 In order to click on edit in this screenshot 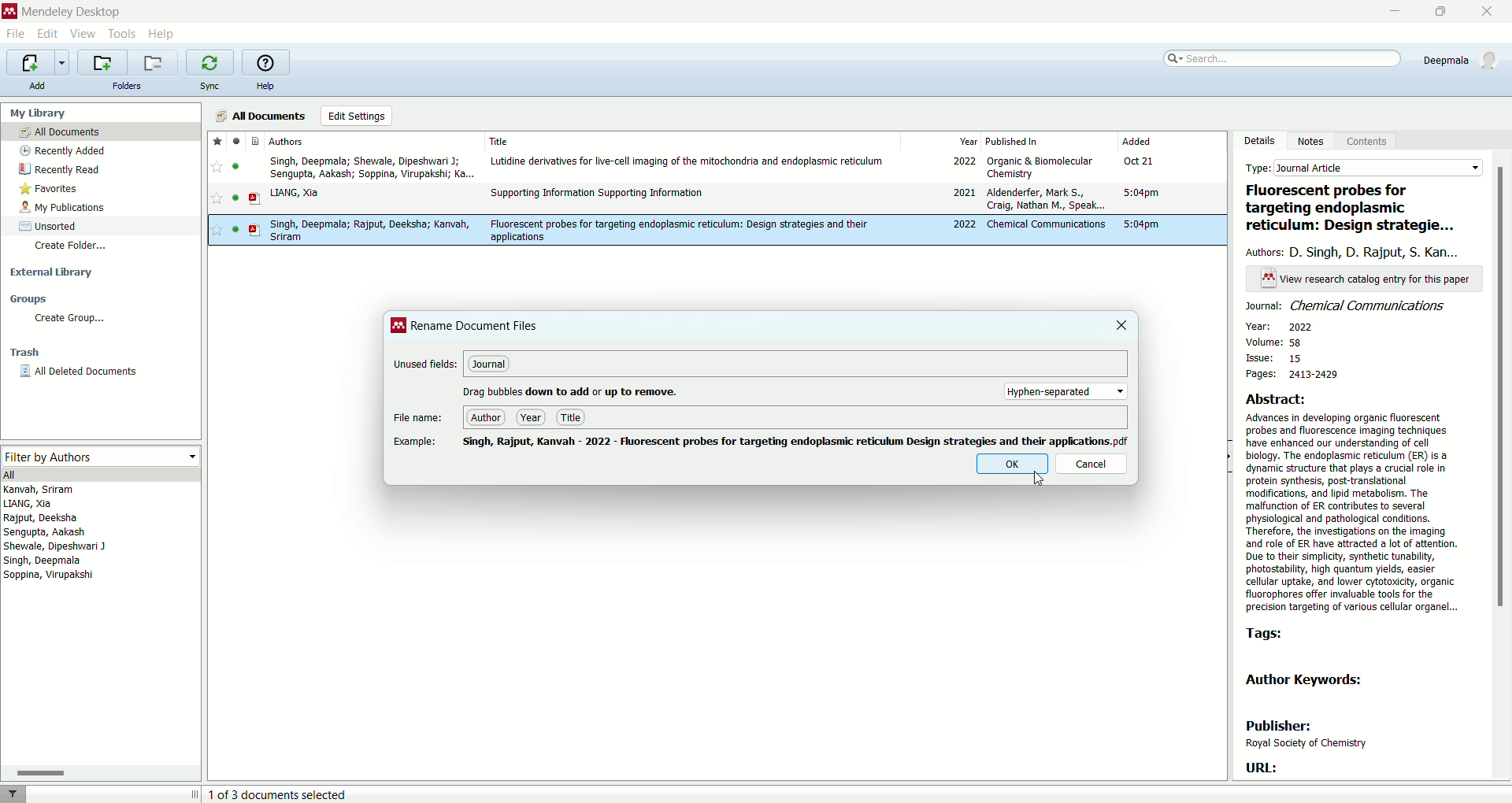, I will do `click(49, 34)`.